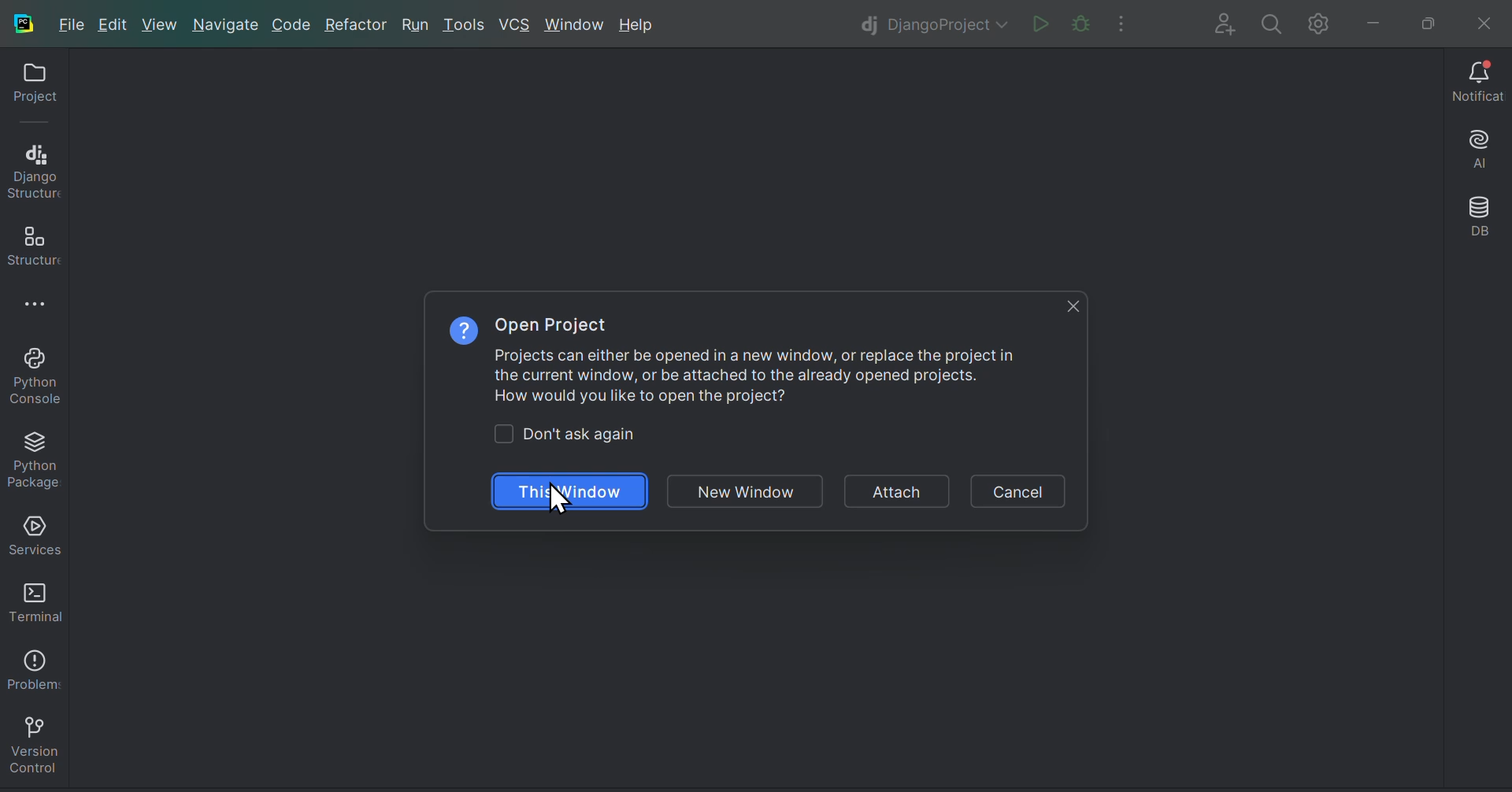 The width and height of the screenshot is (1512, 792). Describe the element at coordinates (1476, 147) in the screenshot. I see `AI assistant` at that location.